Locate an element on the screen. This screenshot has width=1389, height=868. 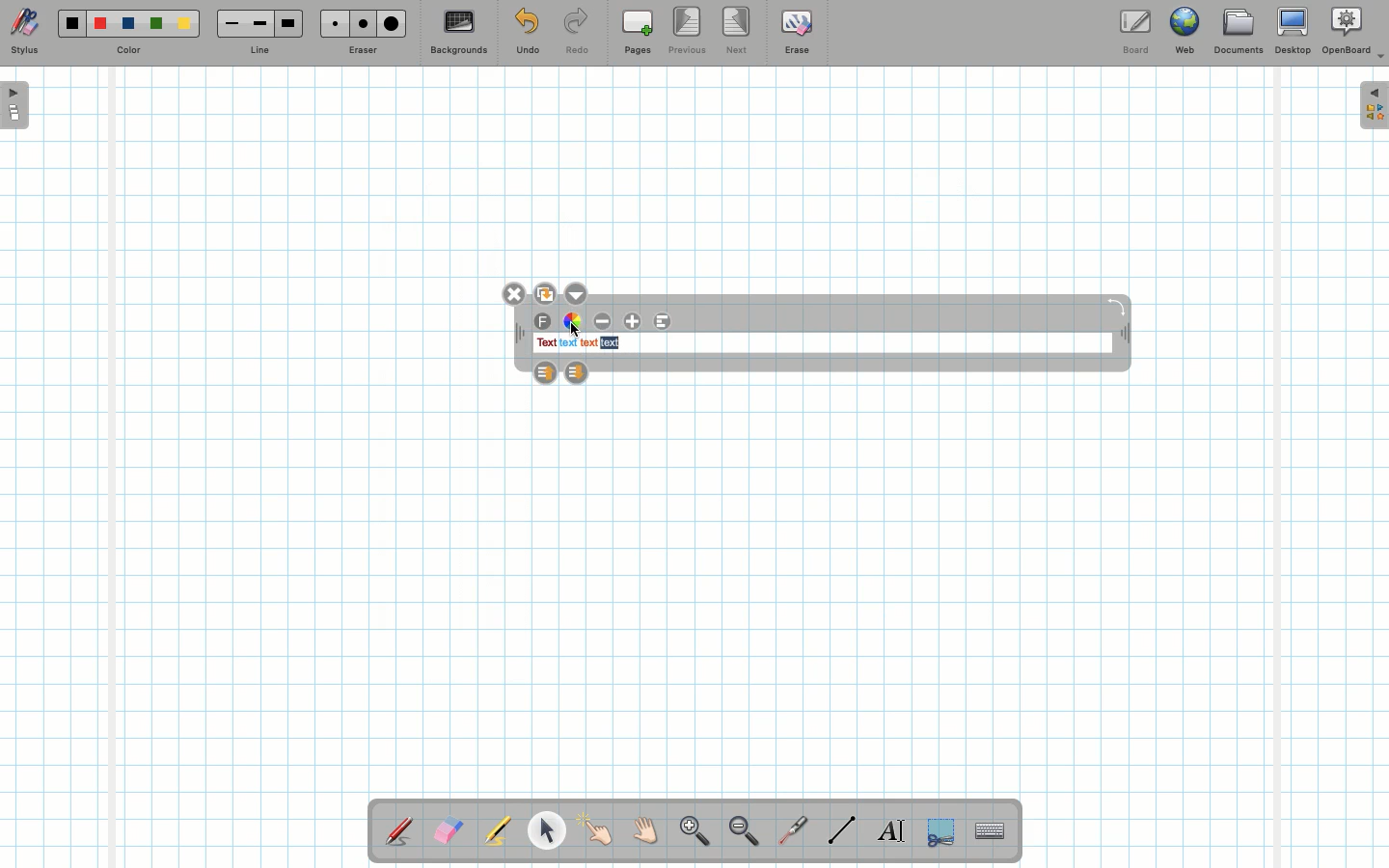
Stylus is located at coordinates (24, 32).